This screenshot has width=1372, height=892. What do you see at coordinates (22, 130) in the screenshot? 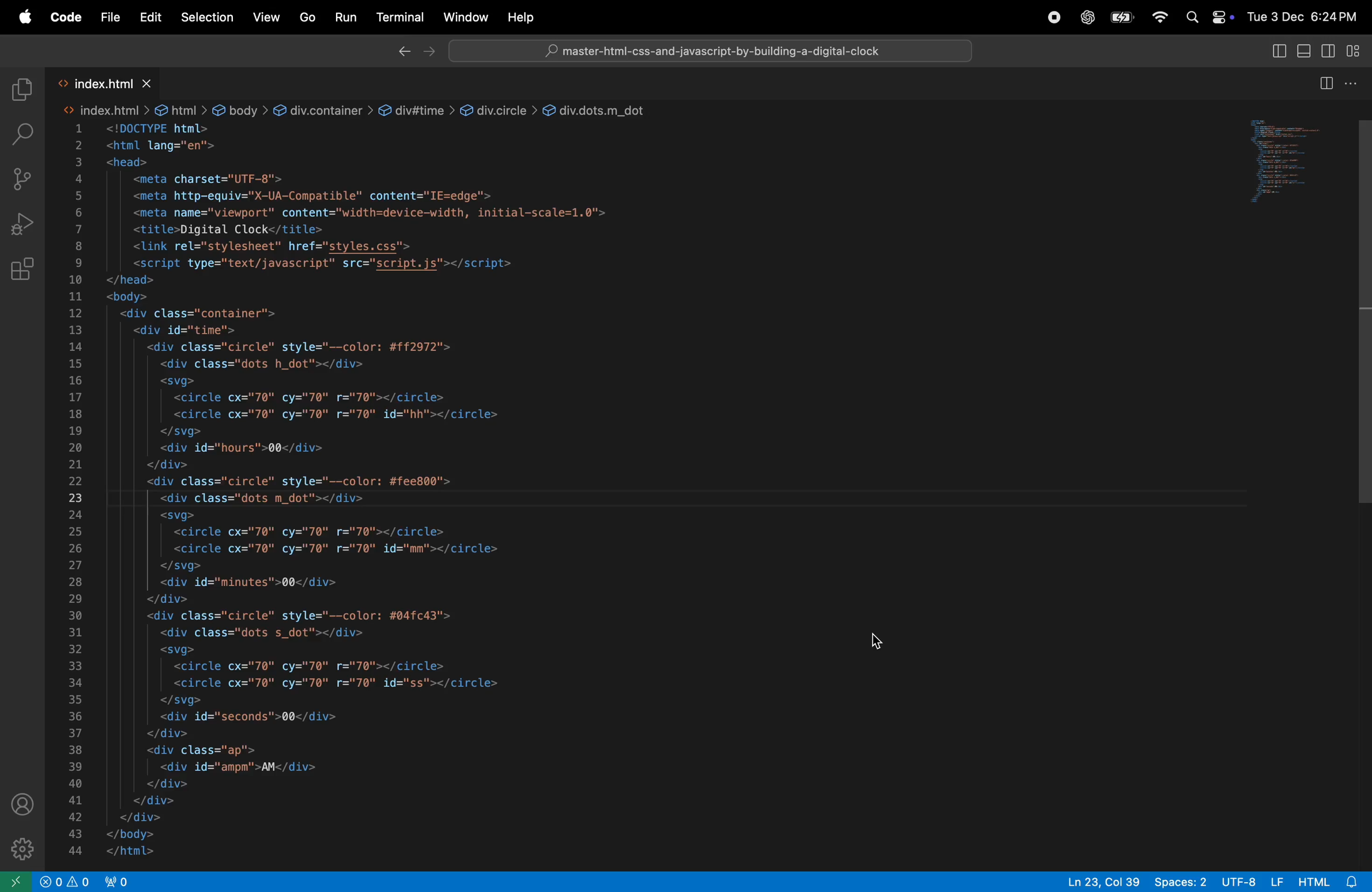
I see `search` at bounding box center [22, 130].